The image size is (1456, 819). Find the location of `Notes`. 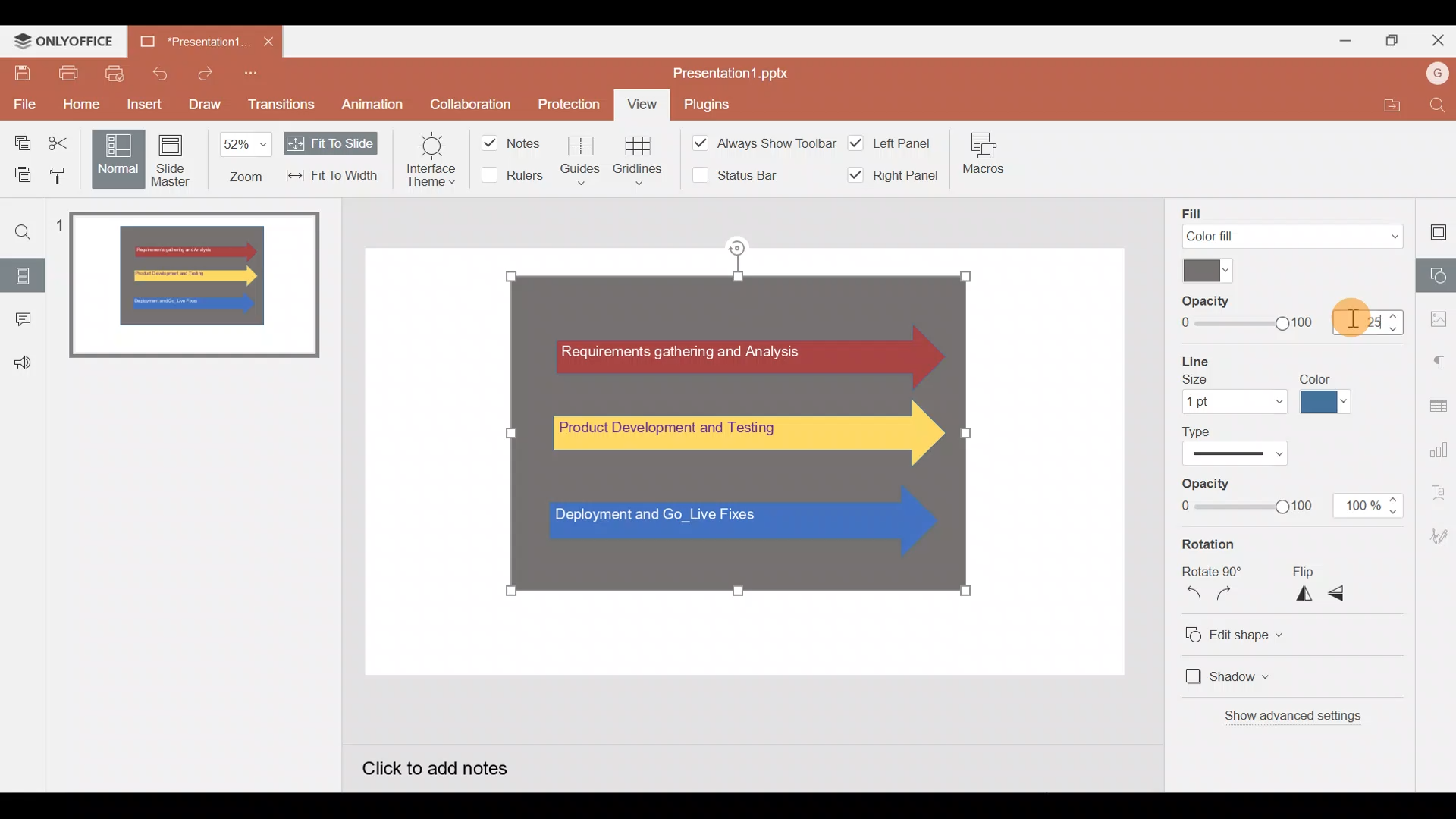

Notes is located at coordinates (512, 141).